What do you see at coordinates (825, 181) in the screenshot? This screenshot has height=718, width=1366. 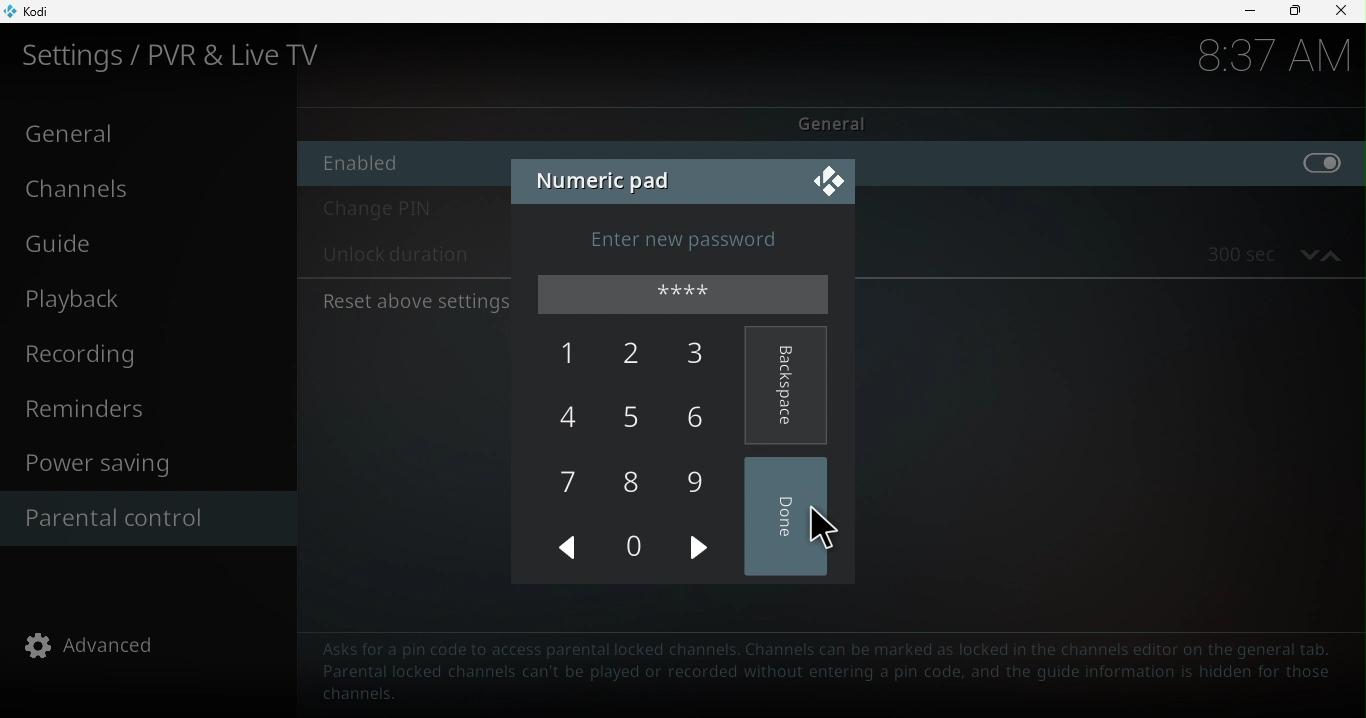 I see `Close` at bounding box center [825, 181].